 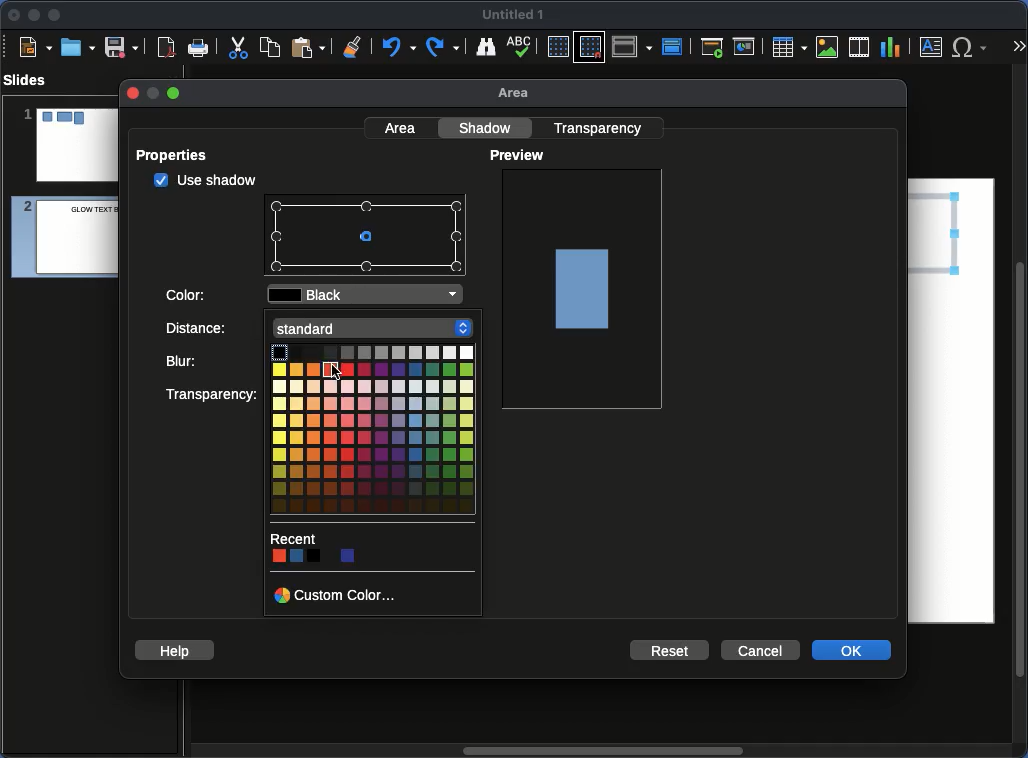 I want to click on Transparency, so click(x=601, y=127).